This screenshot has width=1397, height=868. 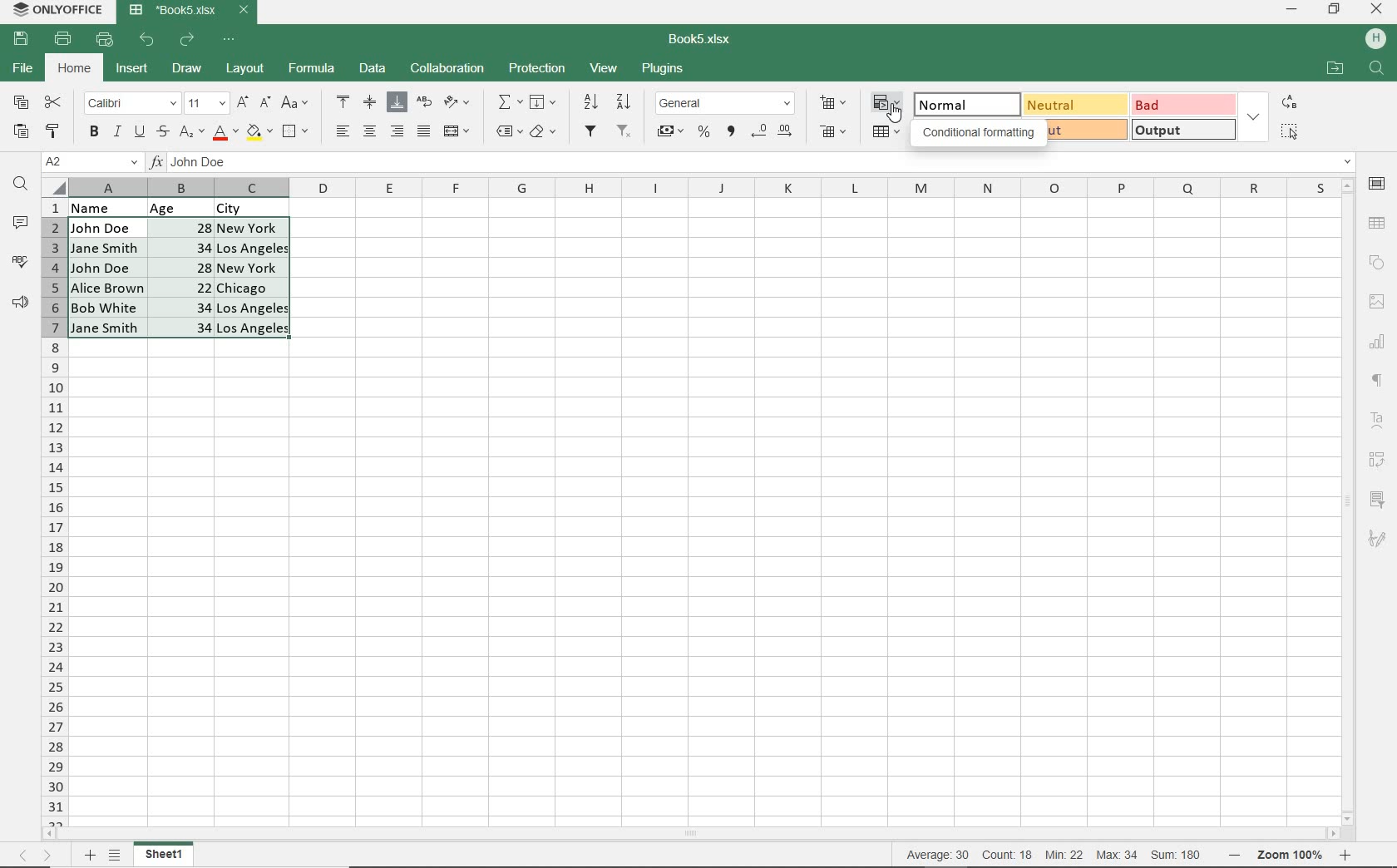 I want to click on FORMULA, so click(x=313, y=69).